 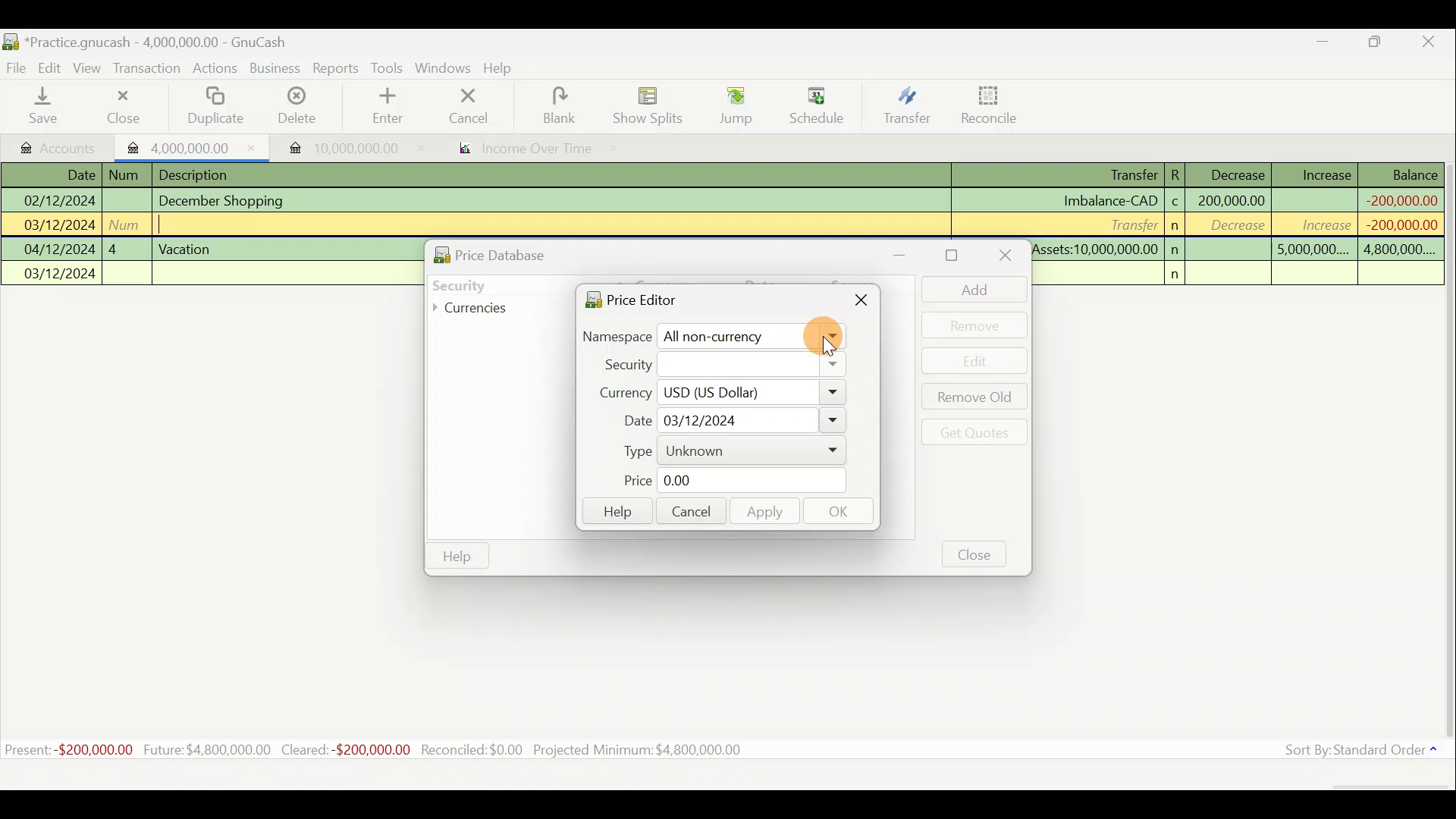 I want to click on num, so click(x=128, y=224).